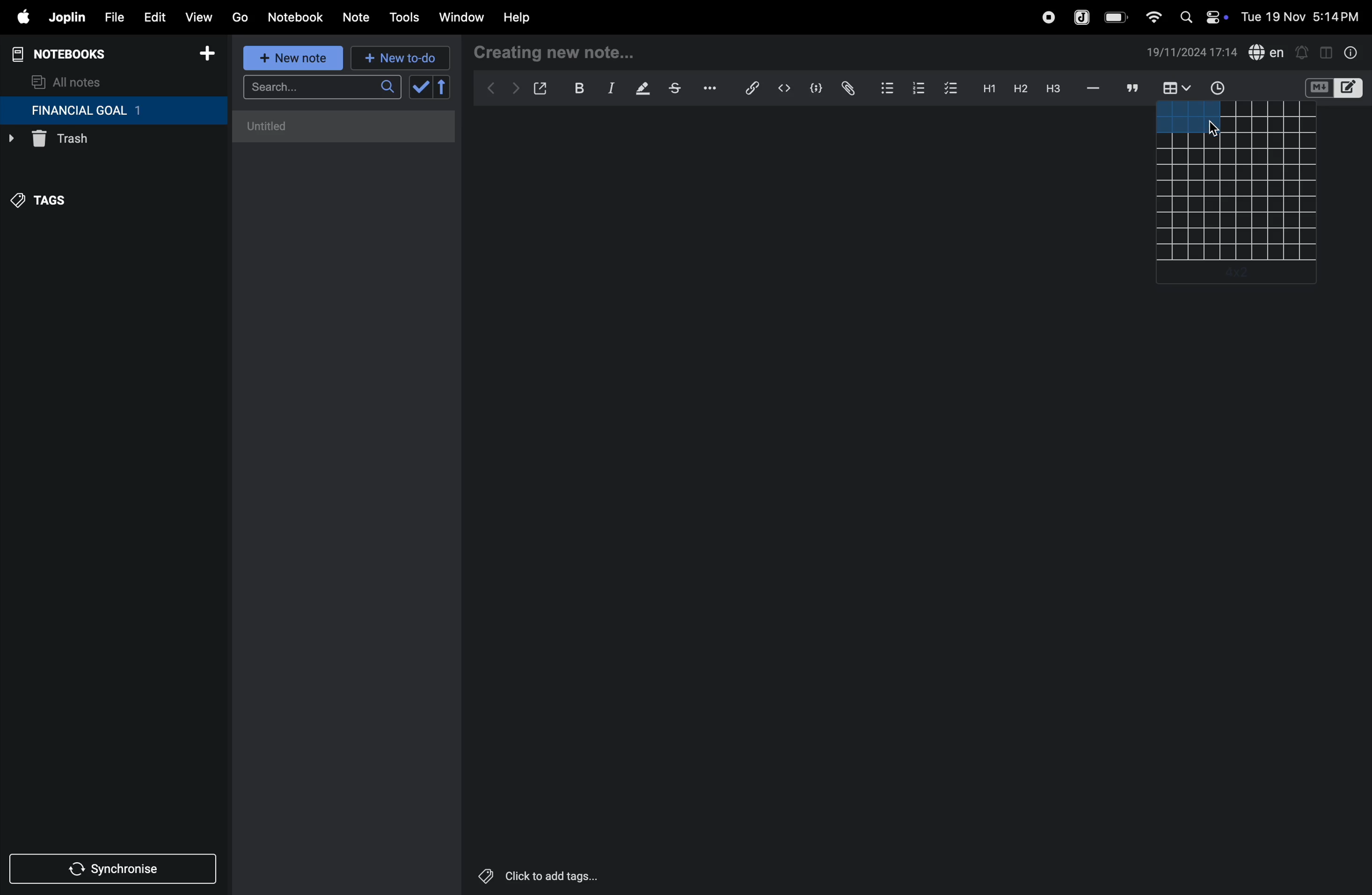 The width and height of the screenshot is (1372, 895). Describe the element at coordinates (573, 88) in the screenshot. I see `bold` at that location.